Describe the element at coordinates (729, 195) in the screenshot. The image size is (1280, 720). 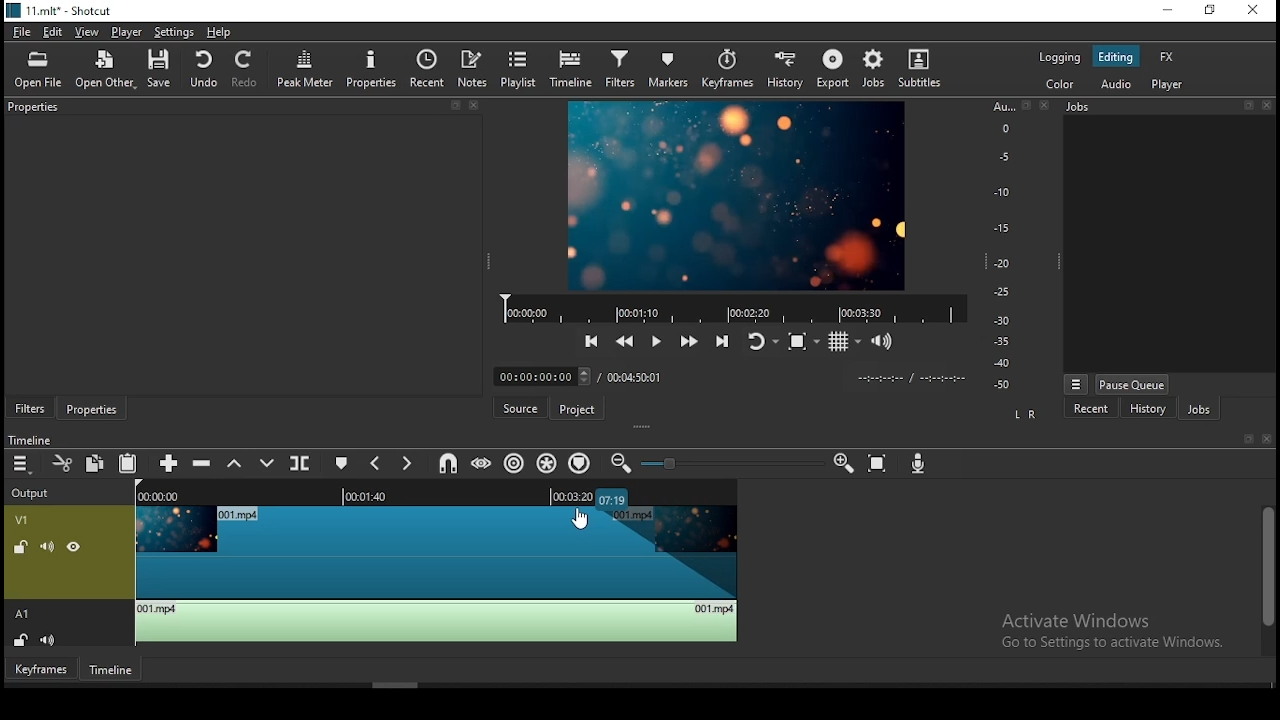
I see `video preview` at that location.